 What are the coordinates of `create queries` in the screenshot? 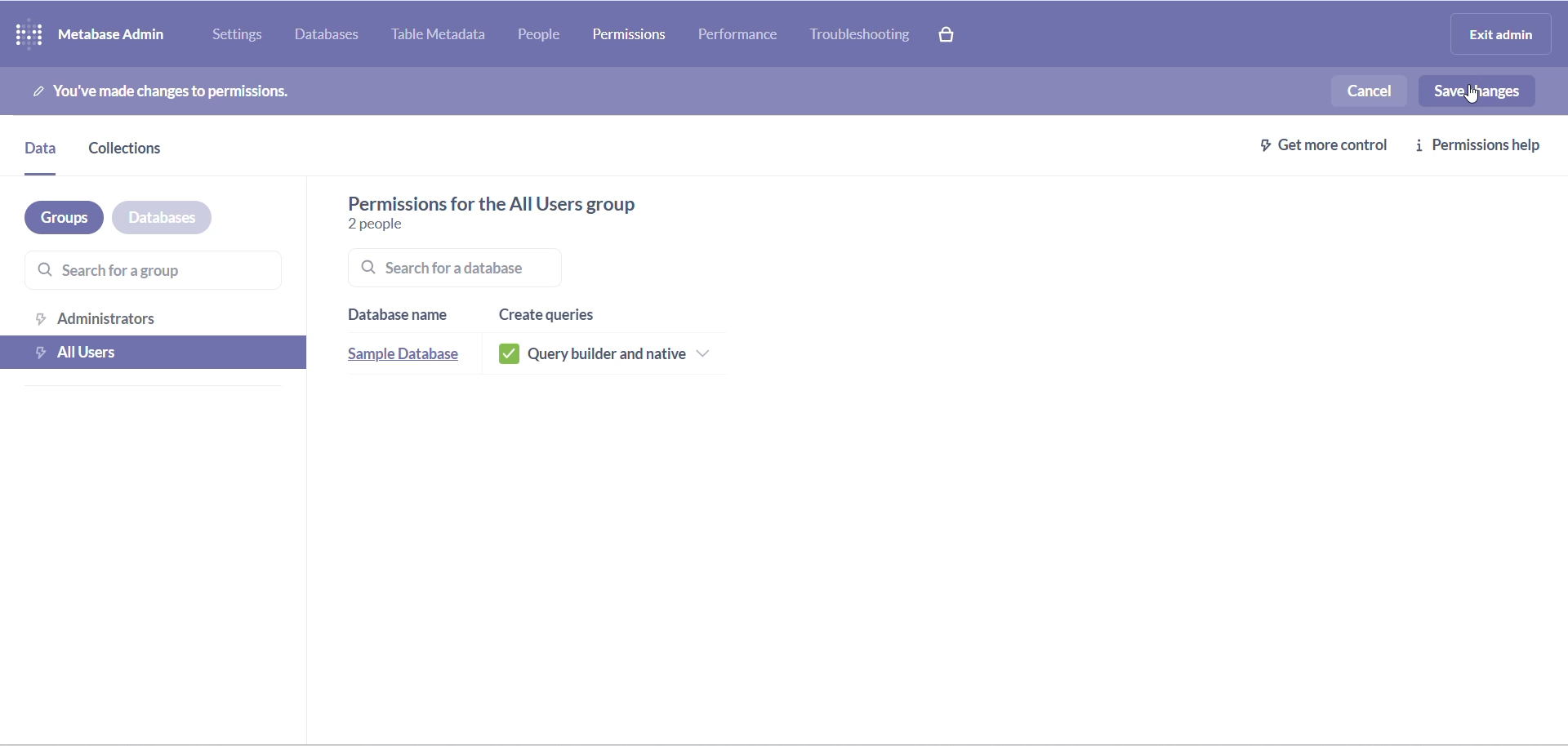 It's located at (555, 308).